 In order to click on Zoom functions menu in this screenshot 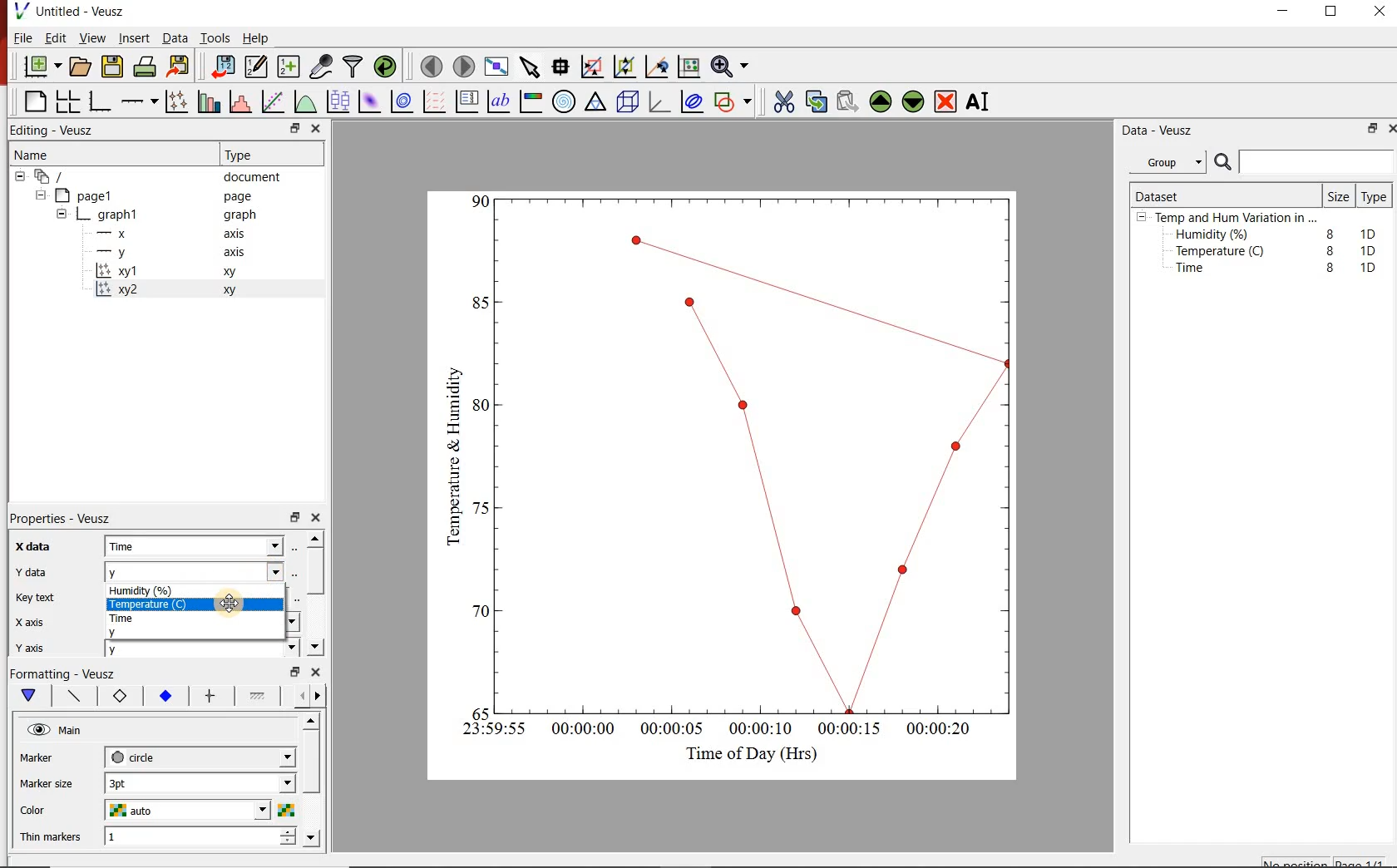, I will do `click(729, 66)`.